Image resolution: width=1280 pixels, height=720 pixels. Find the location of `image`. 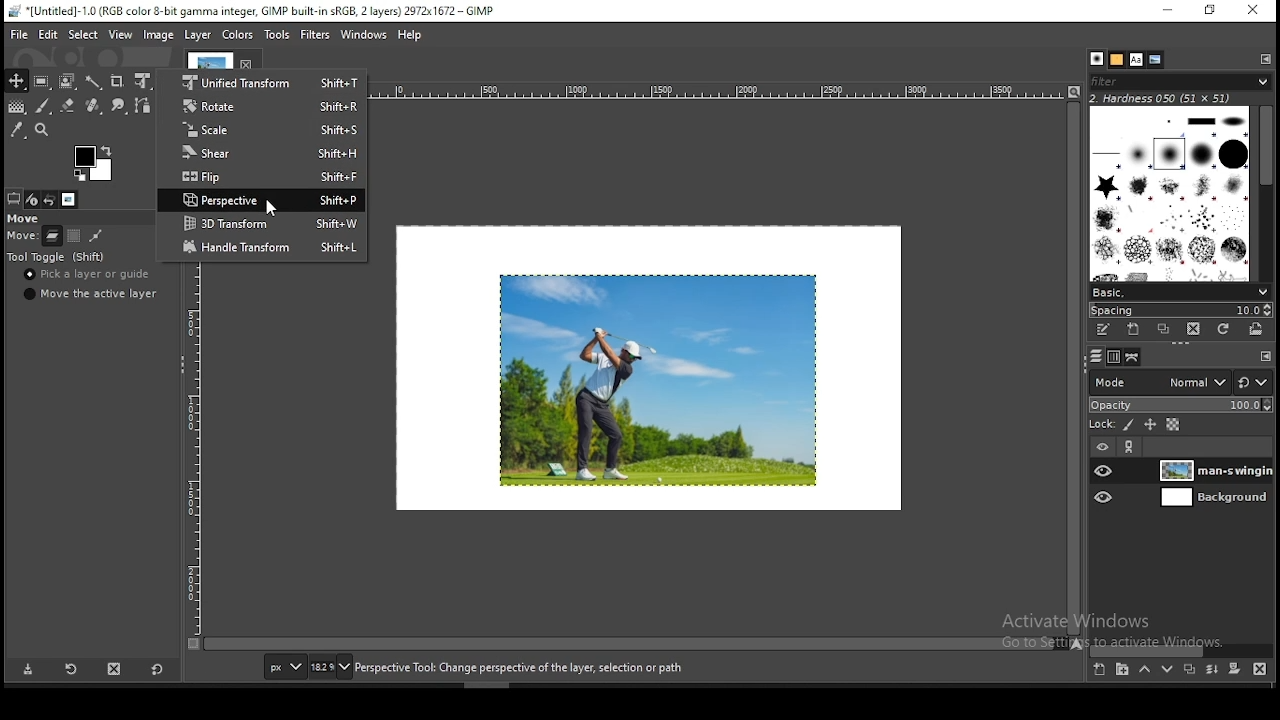

image is located at coordinates (654, 379).